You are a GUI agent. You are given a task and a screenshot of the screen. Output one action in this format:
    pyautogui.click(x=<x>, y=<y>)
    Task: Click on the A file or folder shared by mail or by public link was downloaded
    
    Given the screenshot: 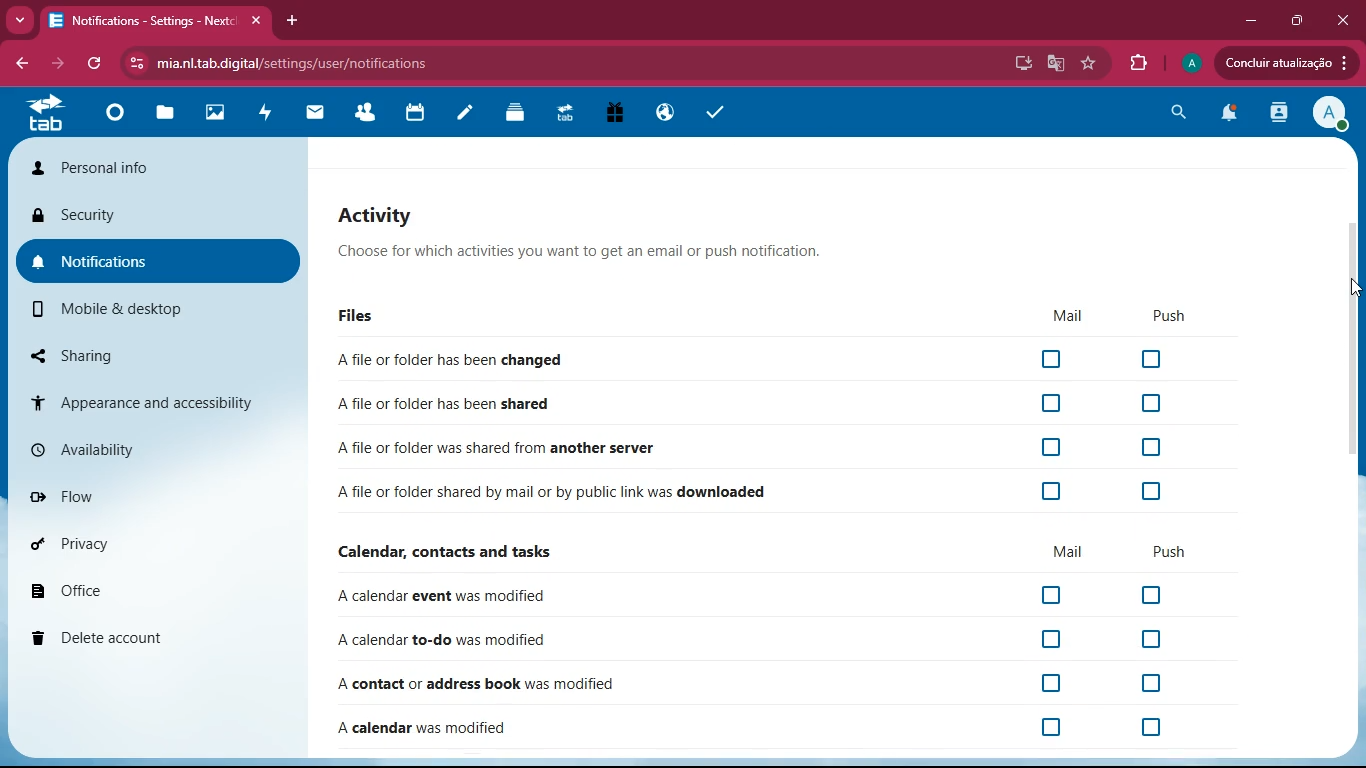 What is the action you would take?
    pyautogui.click(x=552, y=493)
    